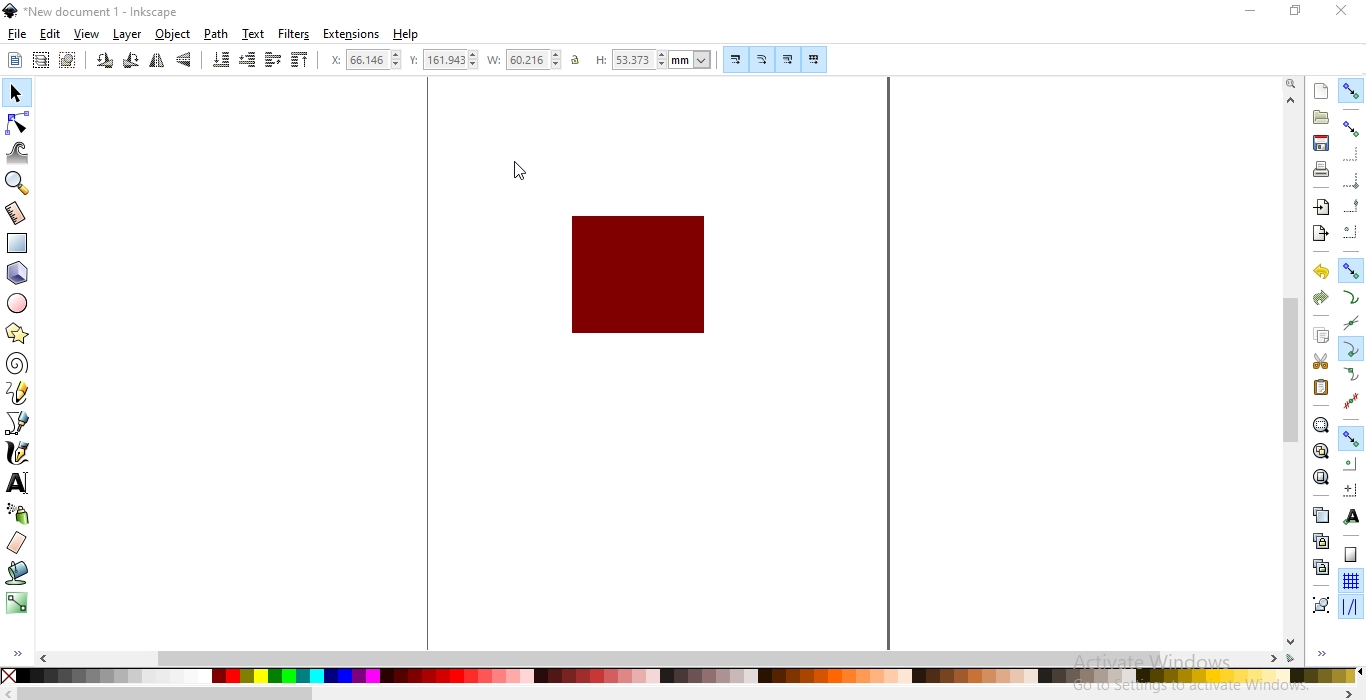  I want to click on mm, so click(692, 59).